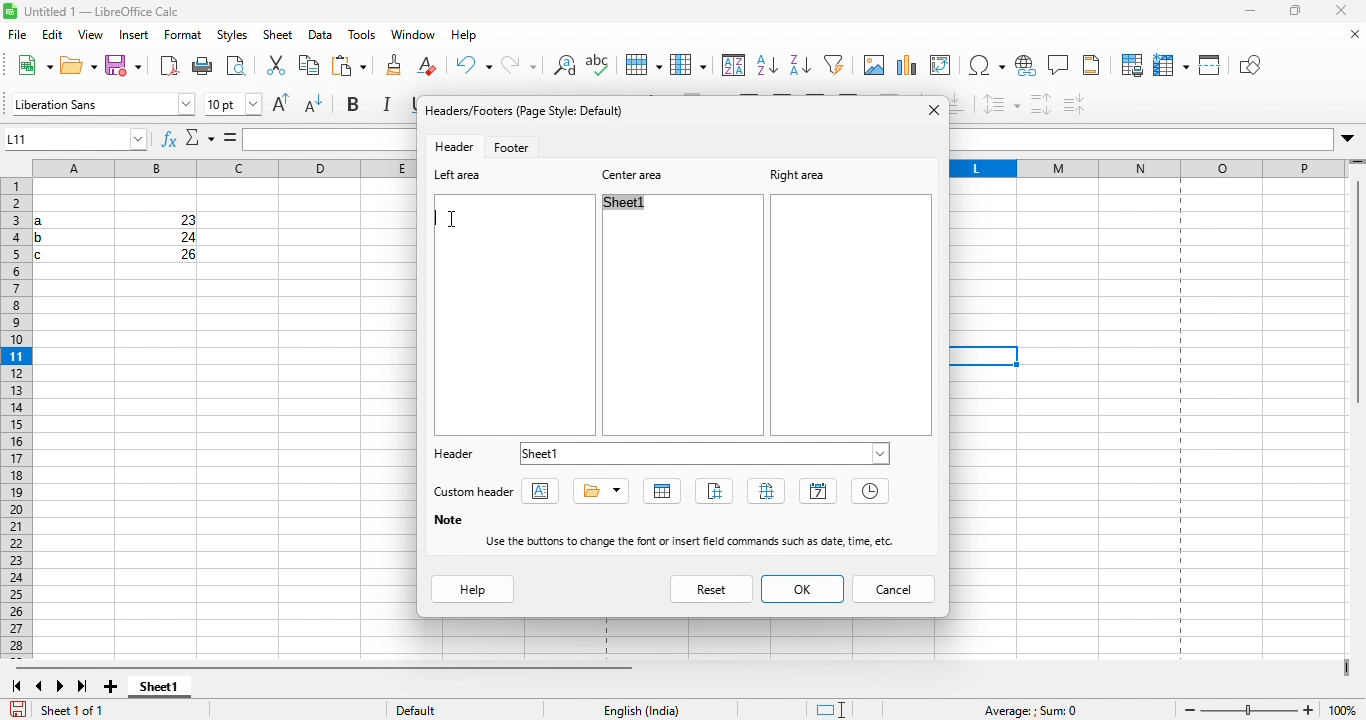 The height and width of the screenshot is (720, 1366). I want to click on decrease paragraph spacing, so click(1075, 102).